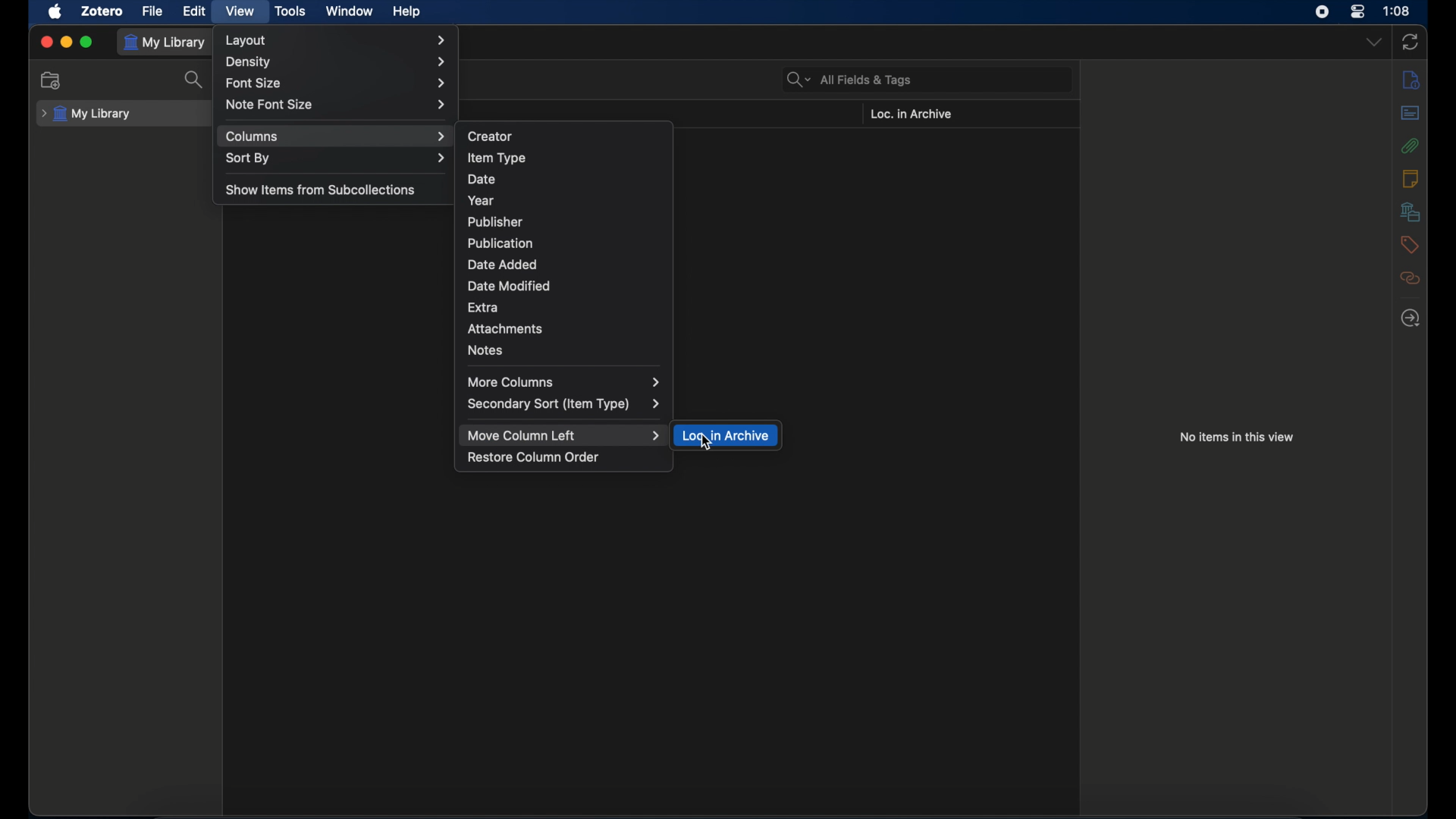 This screenshot has height=819, width=1456. I want to click on no items in this view, so click(1236, 438).